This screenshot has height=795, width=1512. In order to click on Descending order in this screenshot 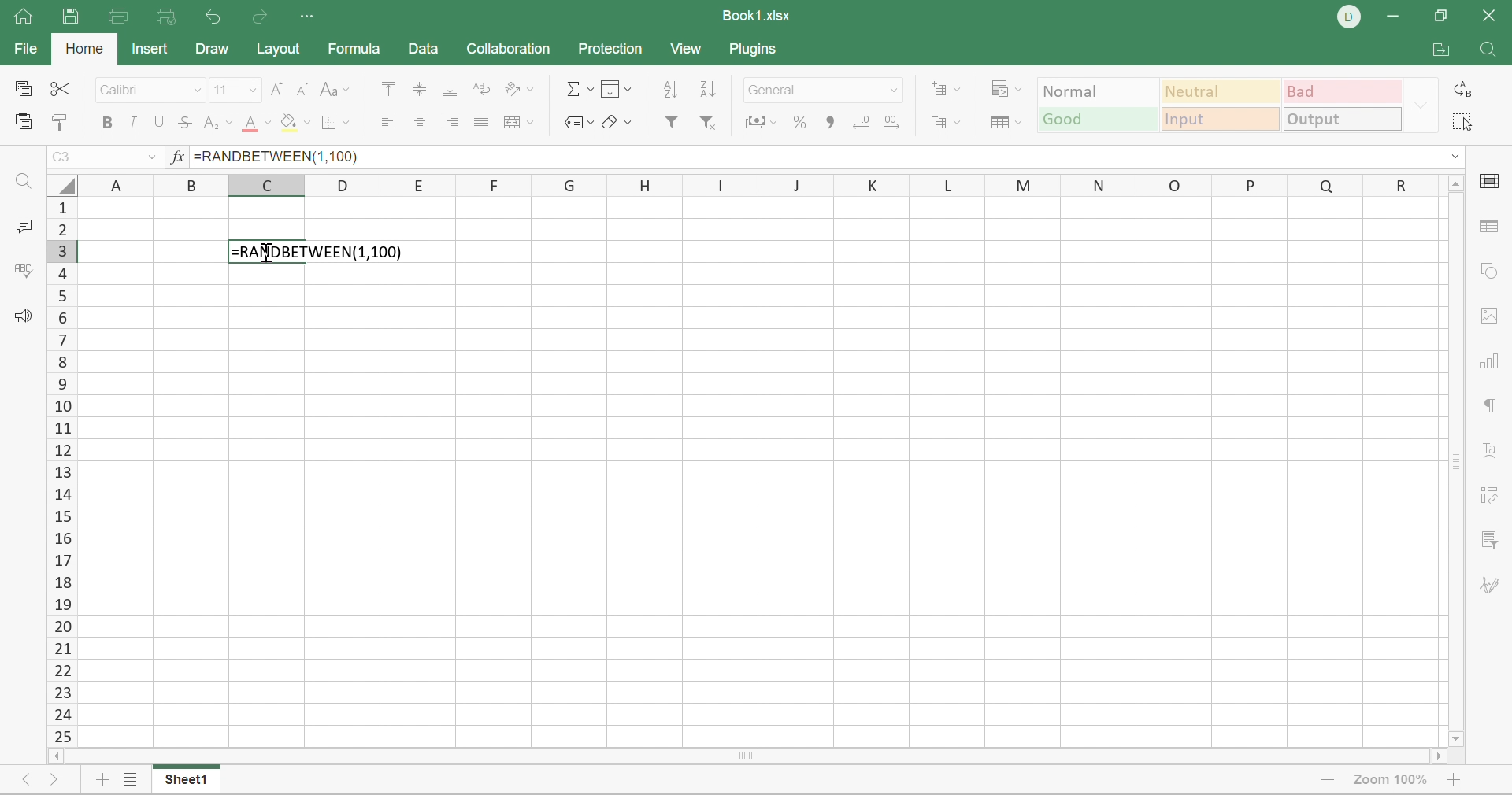, I will do `click(706, 89)`.